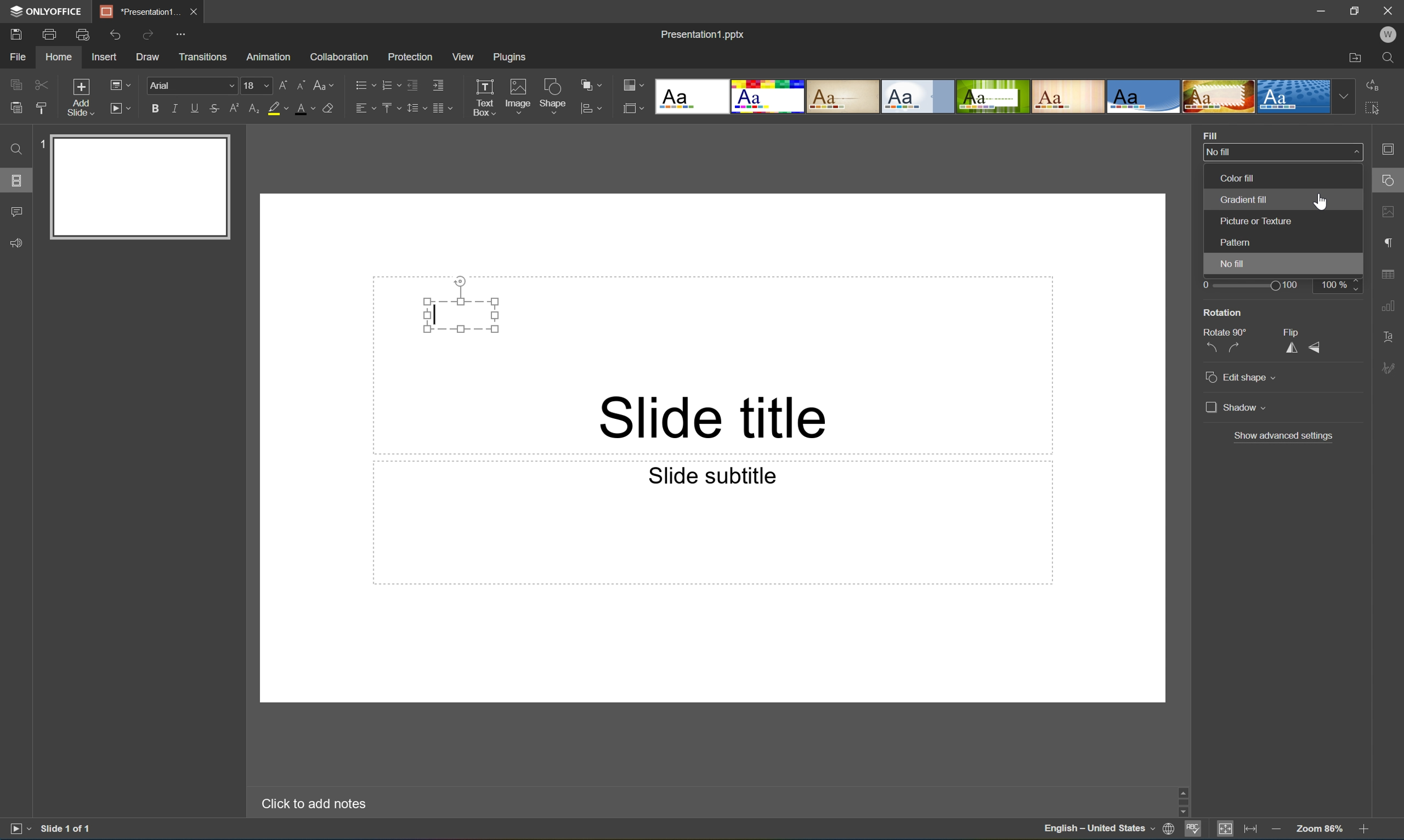 Image resolution: width=1404 pixels, height=840 pixels. I want to click on Zoom 103%, so click(1321, 830).